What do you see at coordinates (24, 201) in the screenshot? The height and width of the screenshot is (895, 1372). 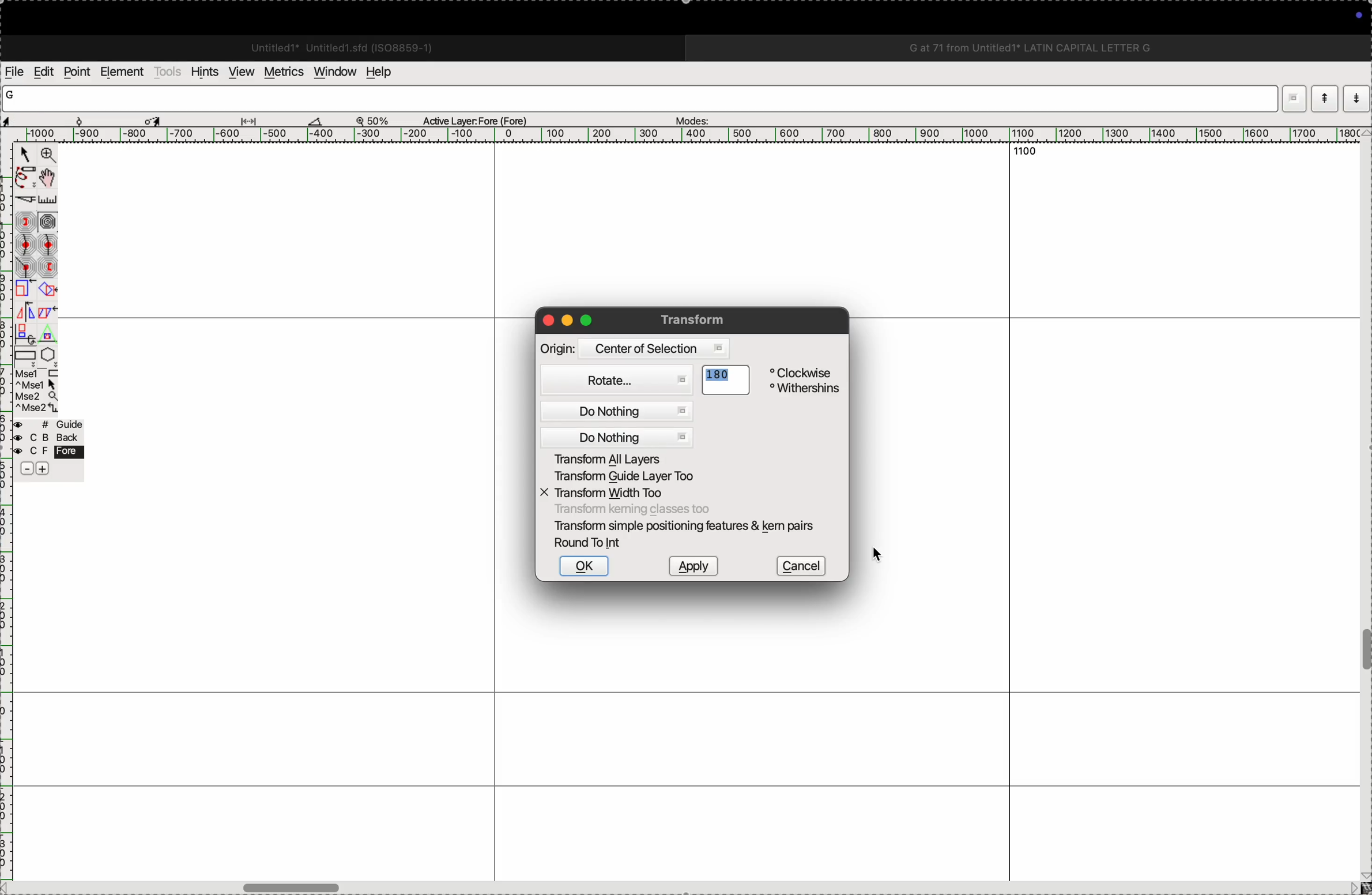 I see `knife` at bounding box center [24, 201].